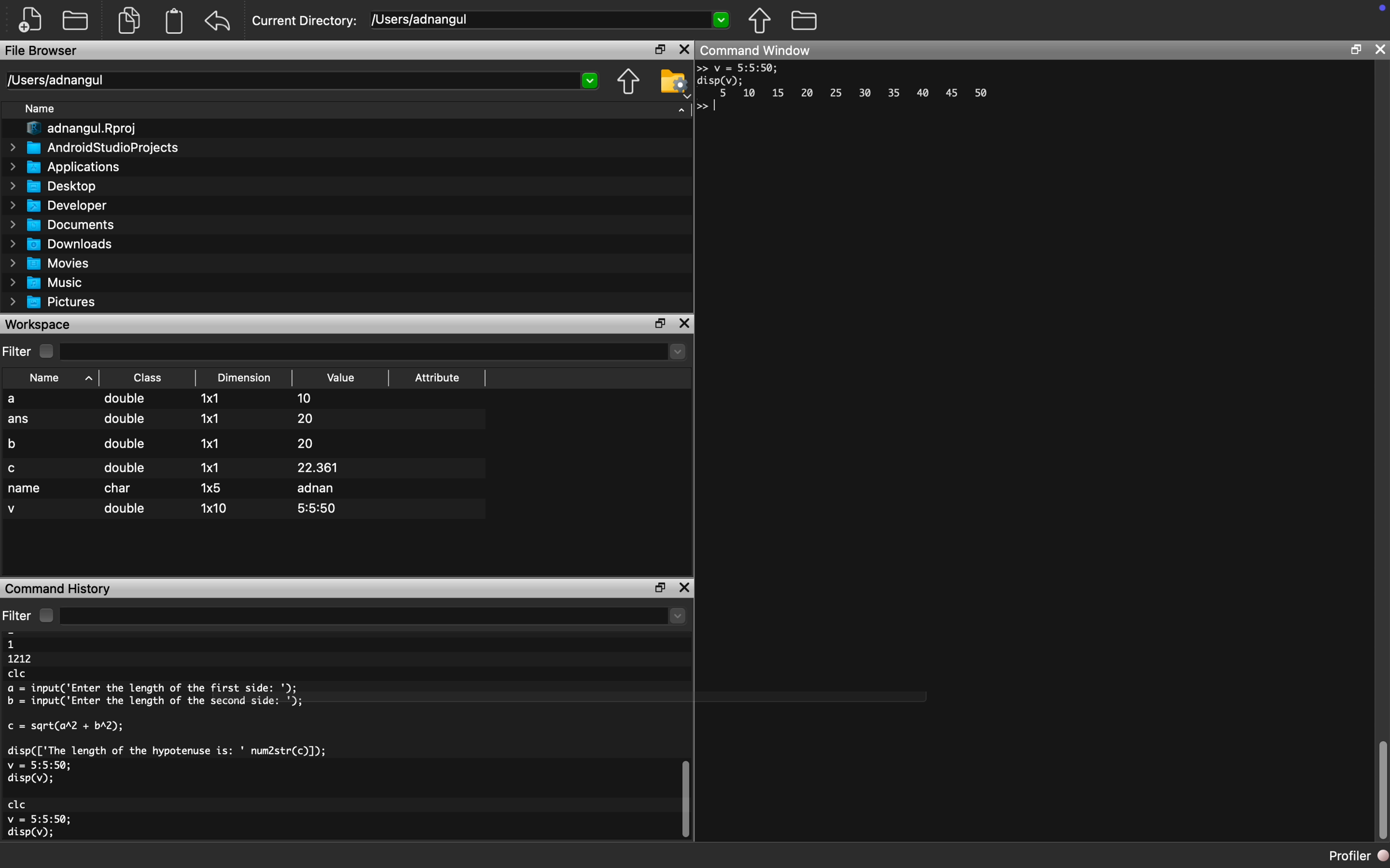  What do you see at coordinates (43, 51) in the screenshot?
I see `File Browser` at bounding box center [43, 51].